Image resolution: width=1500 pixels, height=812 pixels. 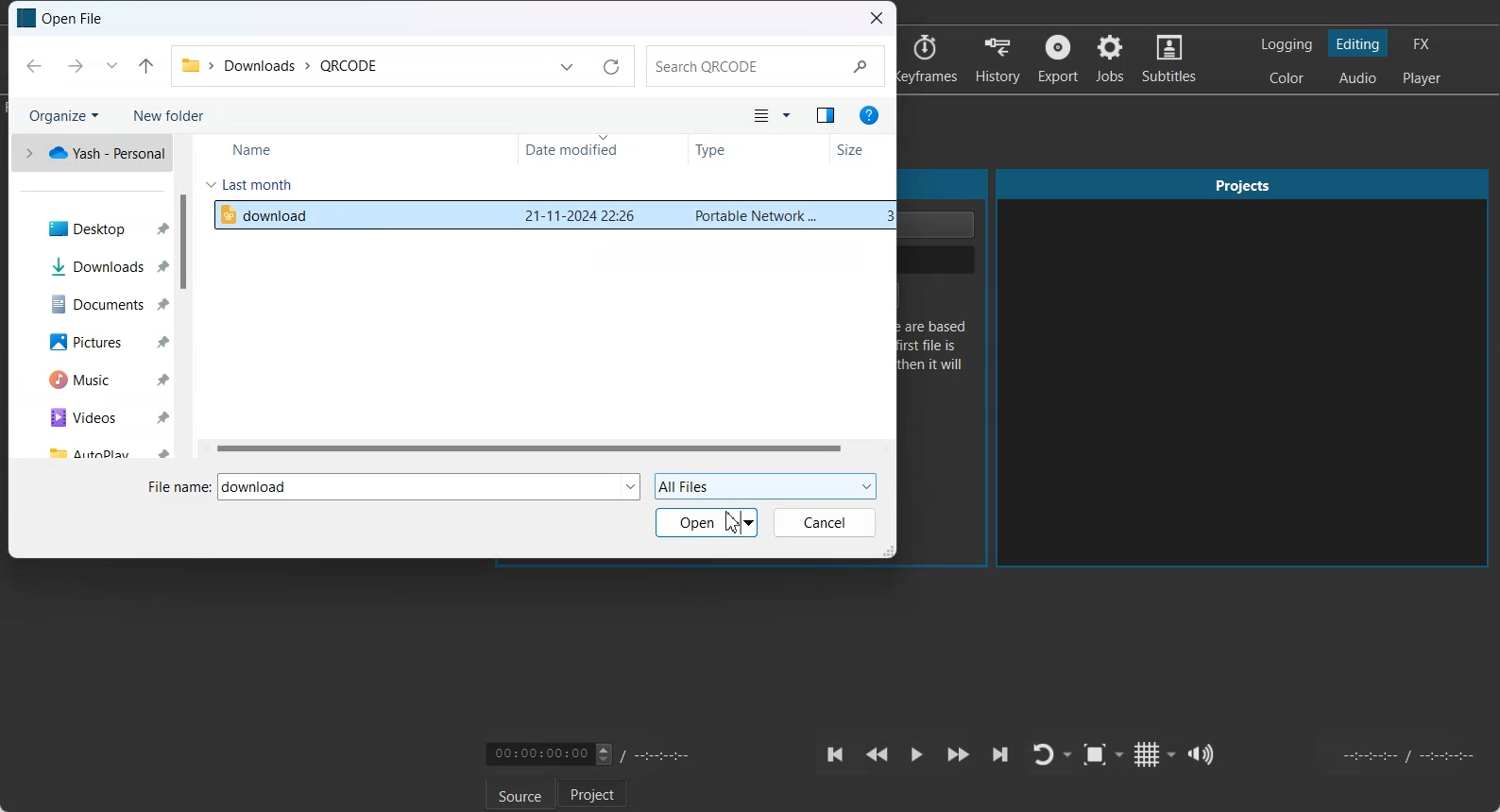 I want to click on Toggle player lopping, so click(x=1040, y=755).